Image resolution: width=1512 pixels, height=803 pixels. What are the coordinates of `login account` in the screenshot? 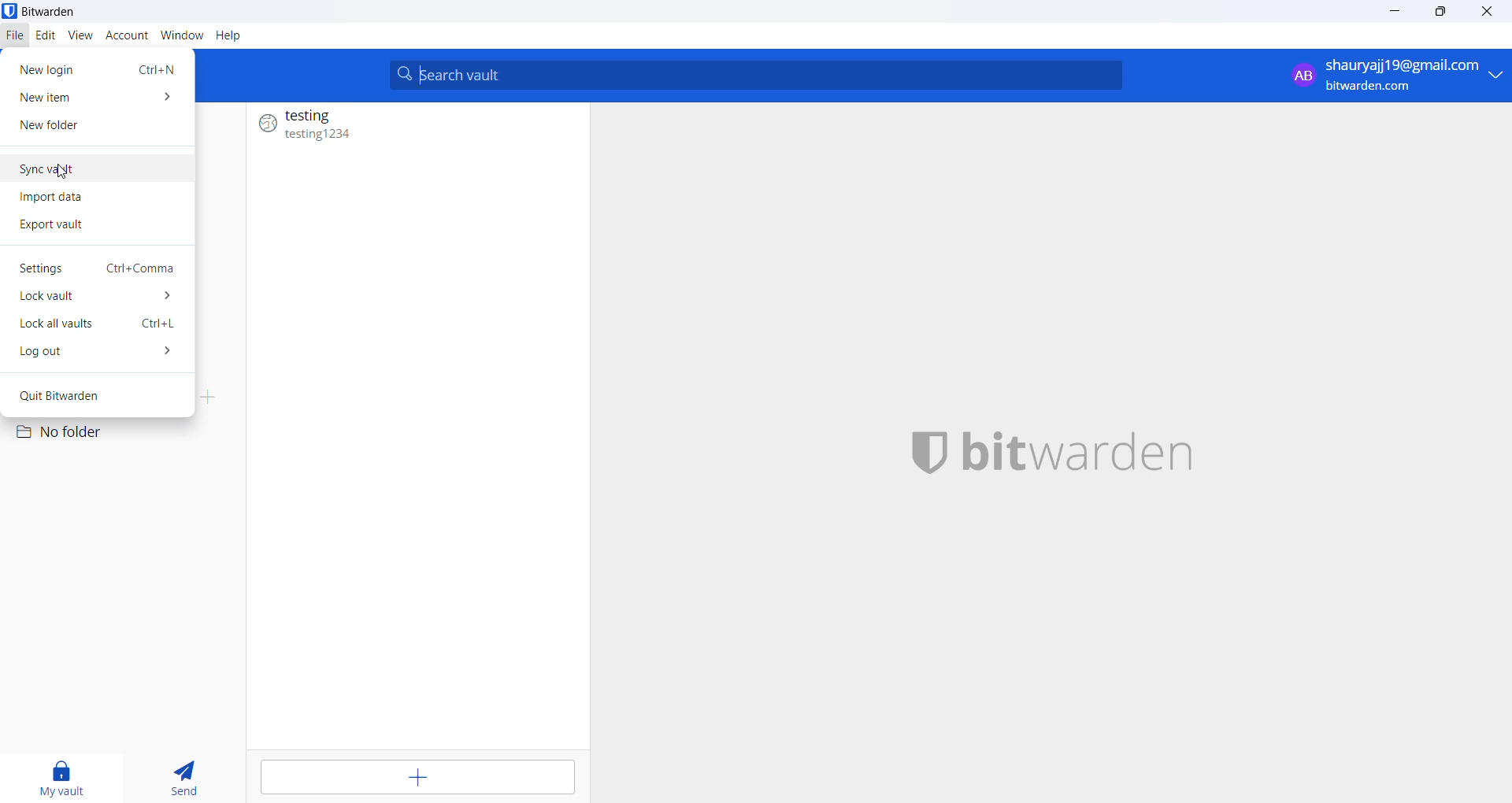 It's located at (1392, 75).